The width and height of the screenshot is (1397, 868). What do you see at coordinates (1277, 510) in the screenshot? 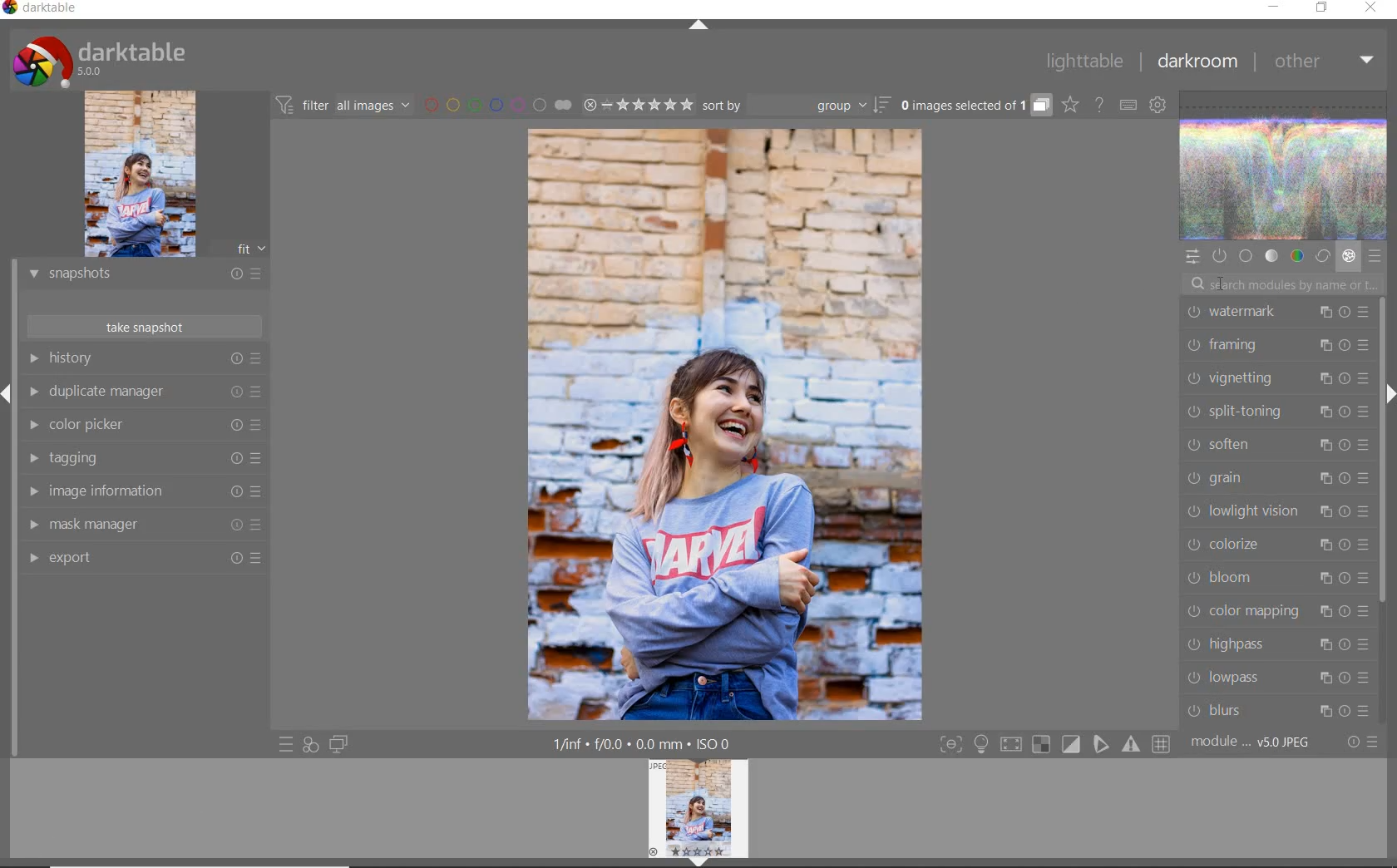
I see `lowlight vision` at bounding box center [1277, 510].